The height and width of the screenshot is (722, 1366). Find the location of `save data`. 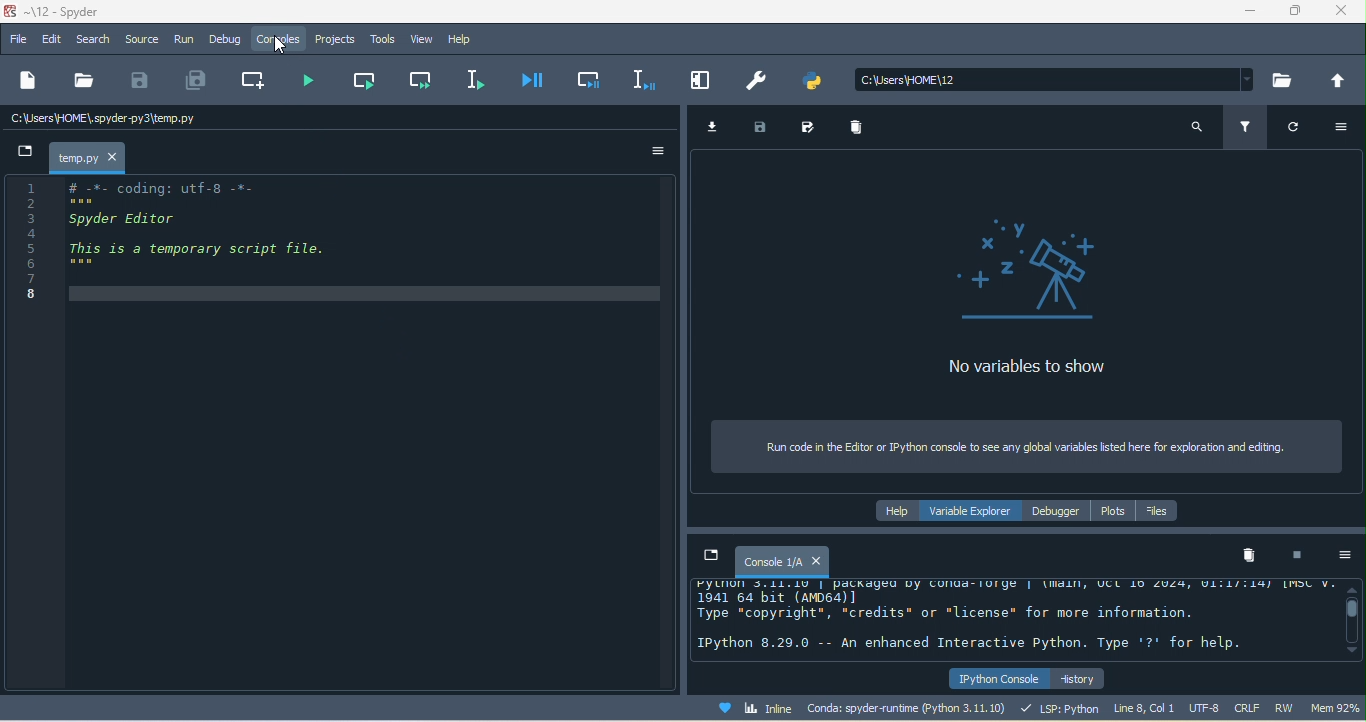

save data is located at coordinates (766, 129).